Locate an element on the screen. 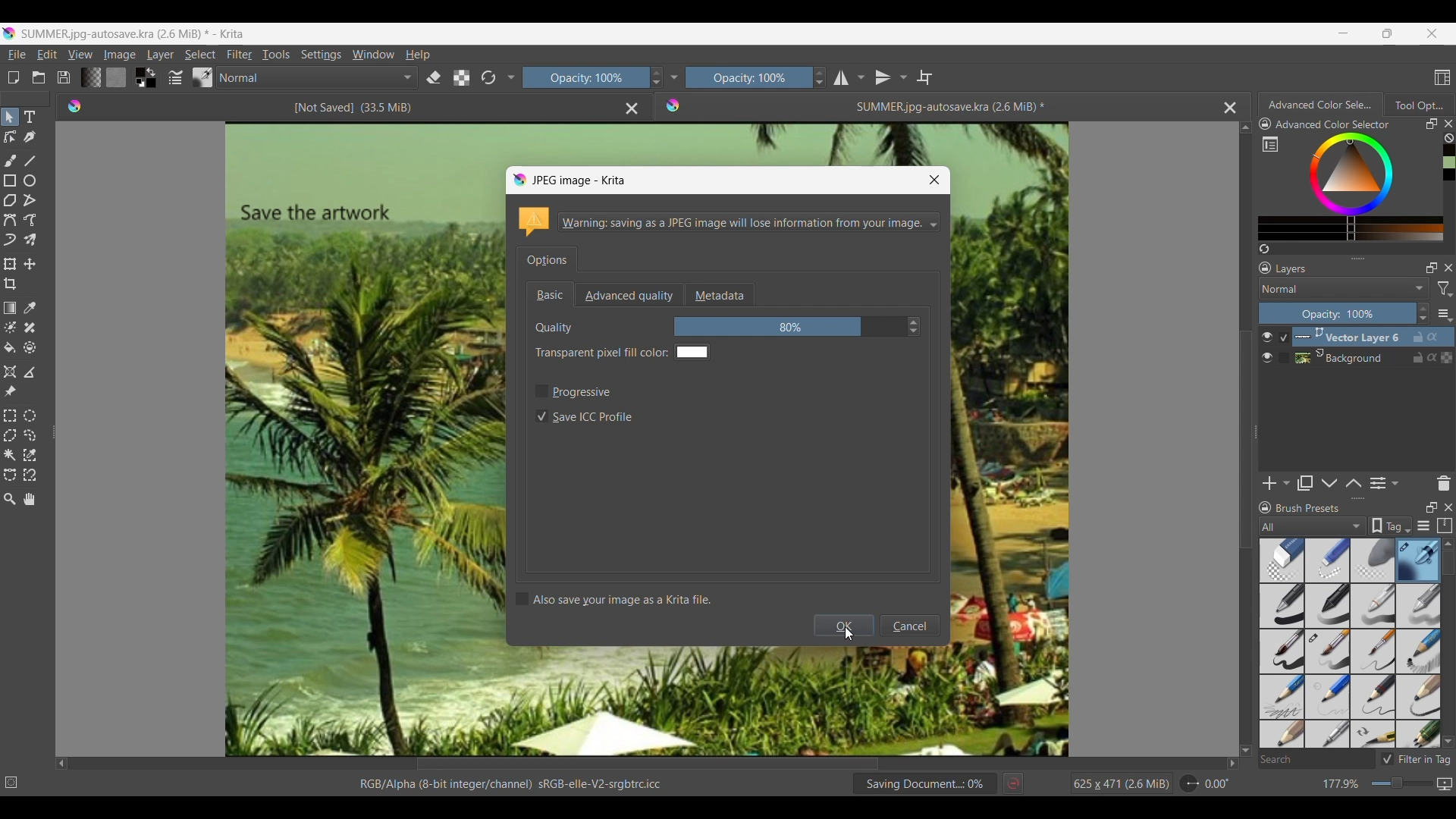 This screenshot has height=819, width=1456. Lock Brush presets panel is located at coordinates (1265, 508).